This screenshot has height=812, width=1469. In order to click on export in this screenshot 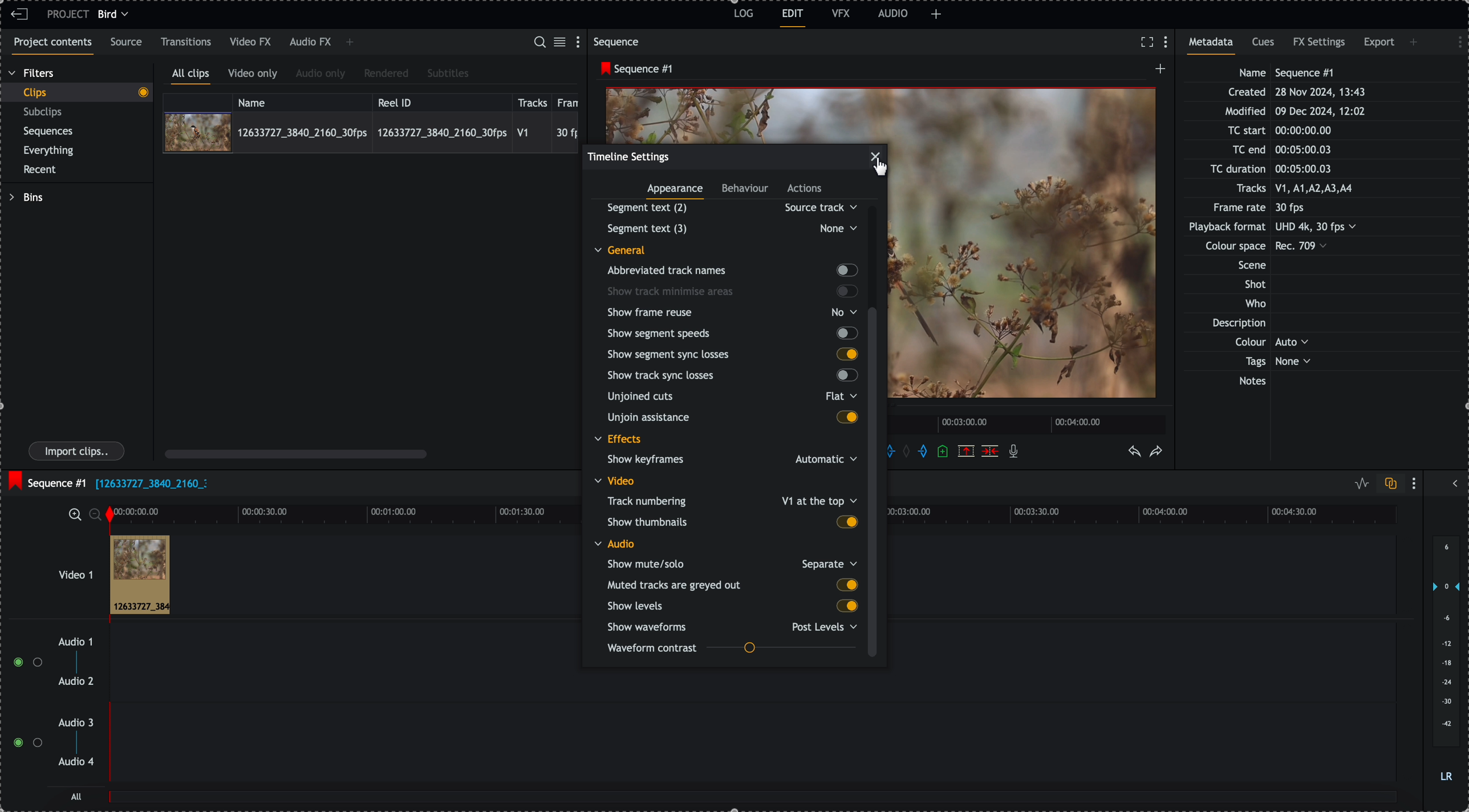, I will do `click(1379, 44)`.